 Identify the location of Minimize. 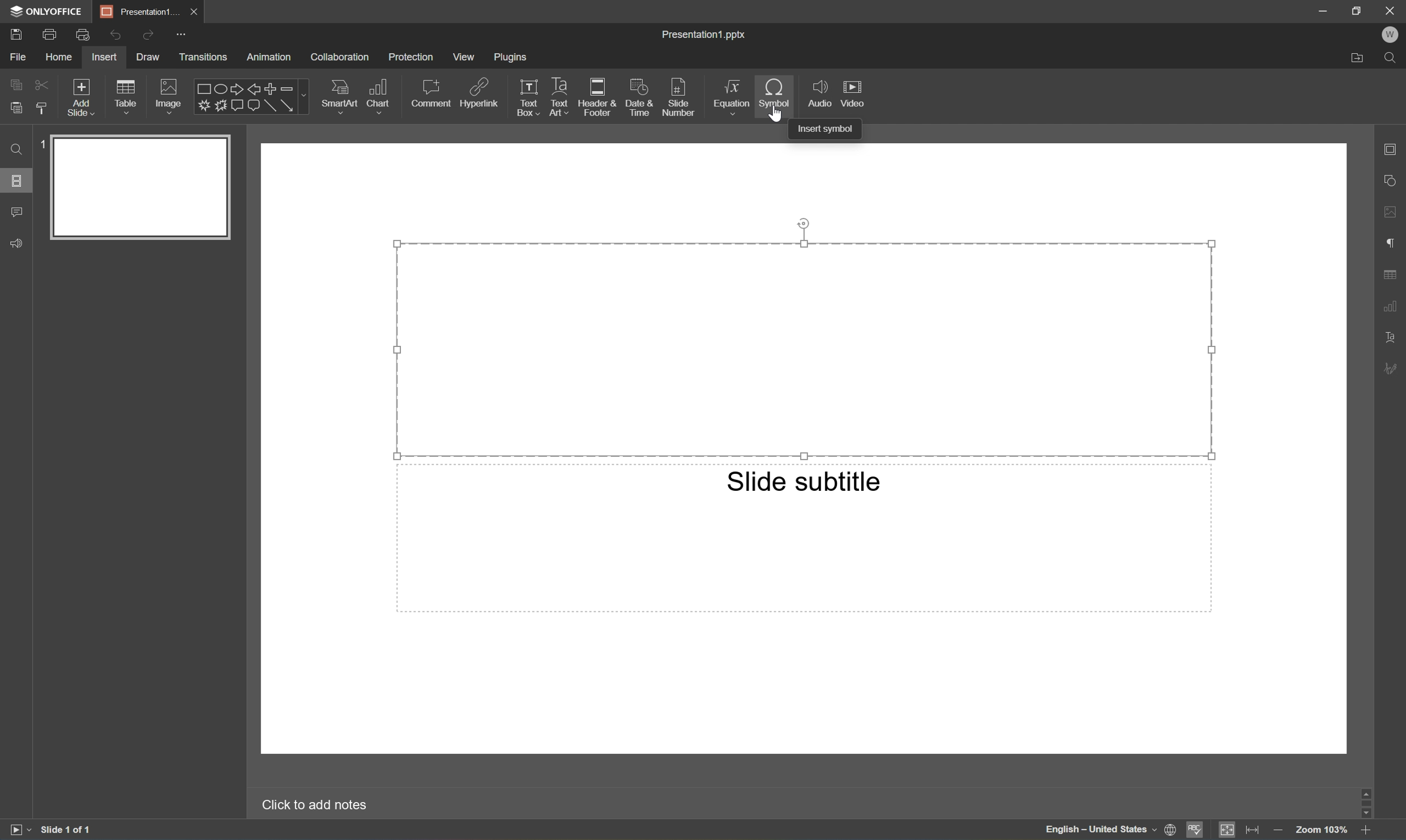
(1322, 9).